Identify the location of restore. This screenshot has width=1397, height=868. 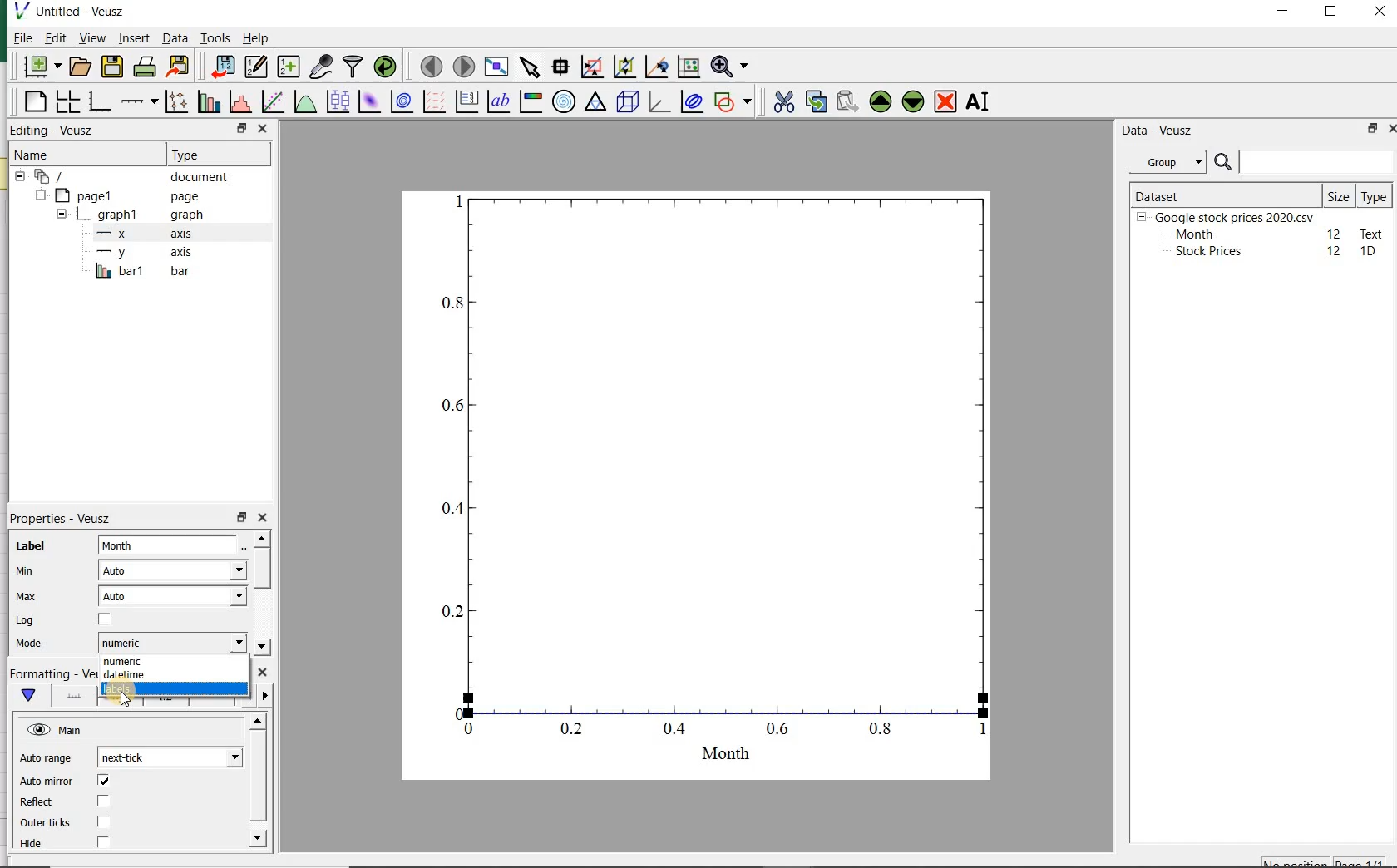
(1370, 130).